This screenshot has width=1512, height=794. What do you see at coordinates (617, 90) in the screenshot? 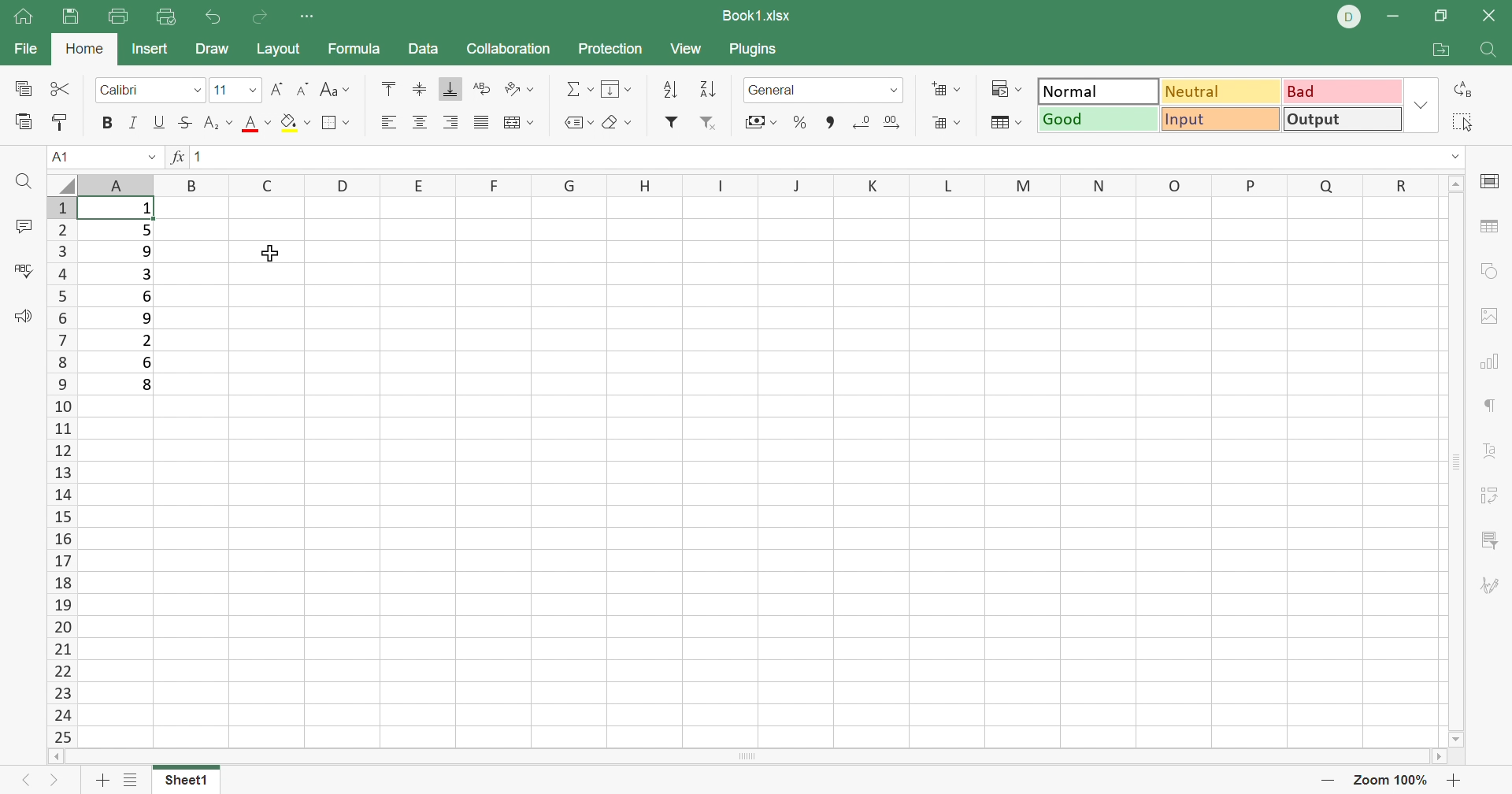
I see `Fill` at bounding box center [617, 90].